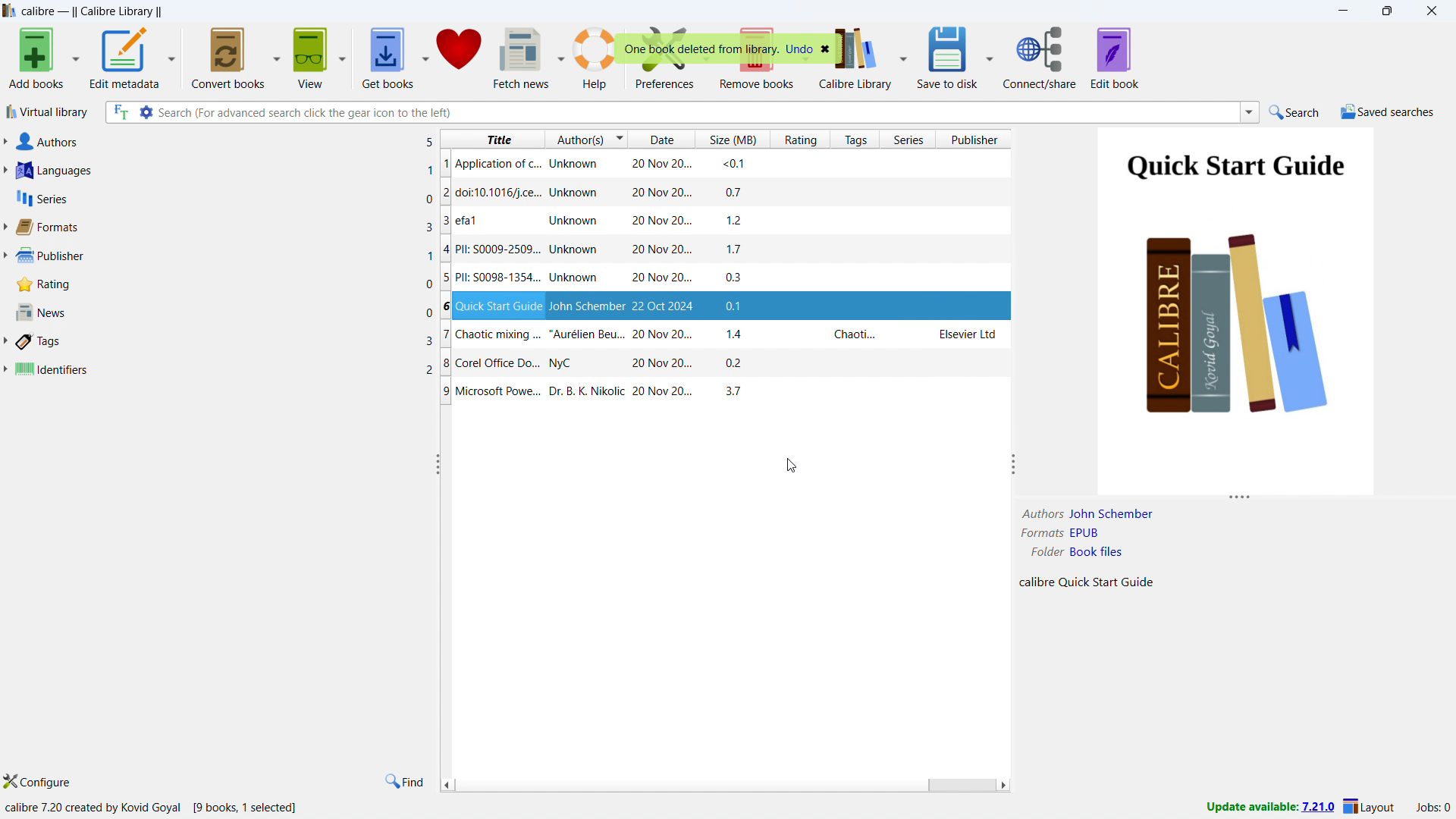 This screenshot has height=819, width=1456. What do you see at coordinates (93, 809) in the screenshot?
I see `calibre 7.20 created by kovid Goyal` at bounding box center [93, 809].